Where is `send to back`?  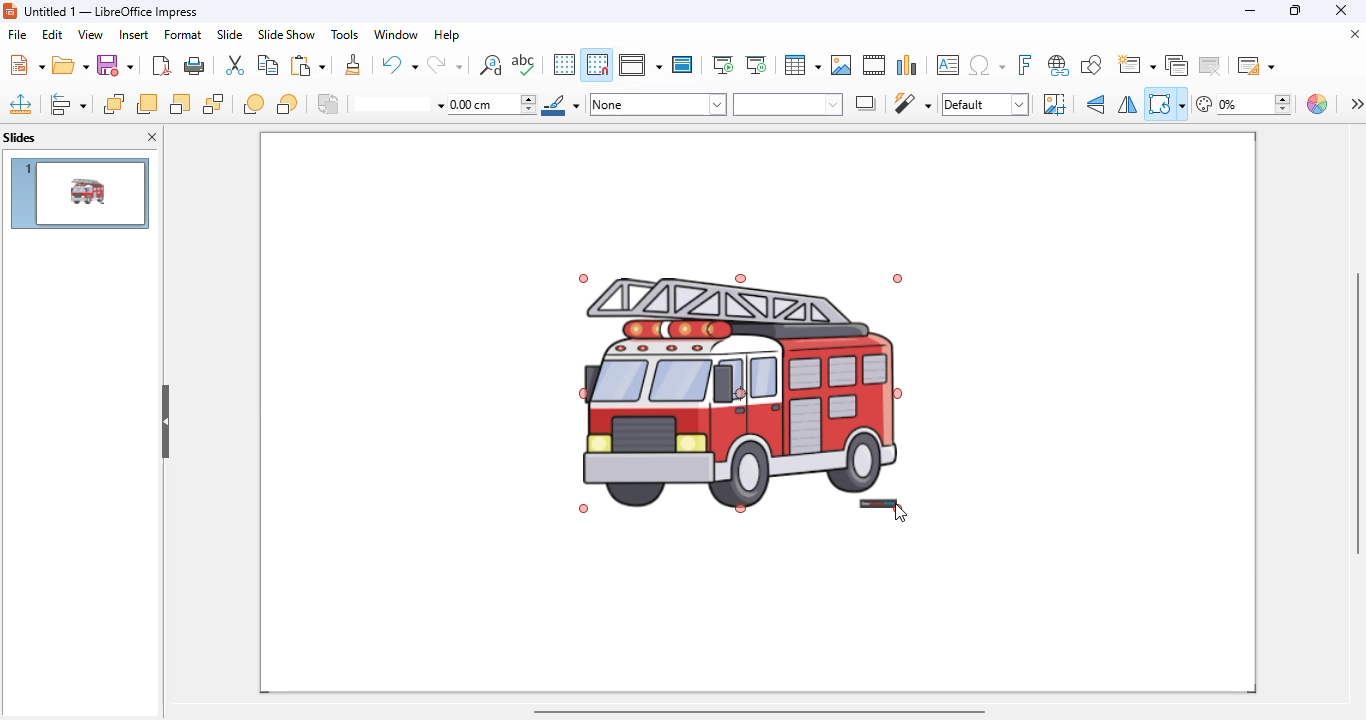
send to back is located at coordinates (214, 104).